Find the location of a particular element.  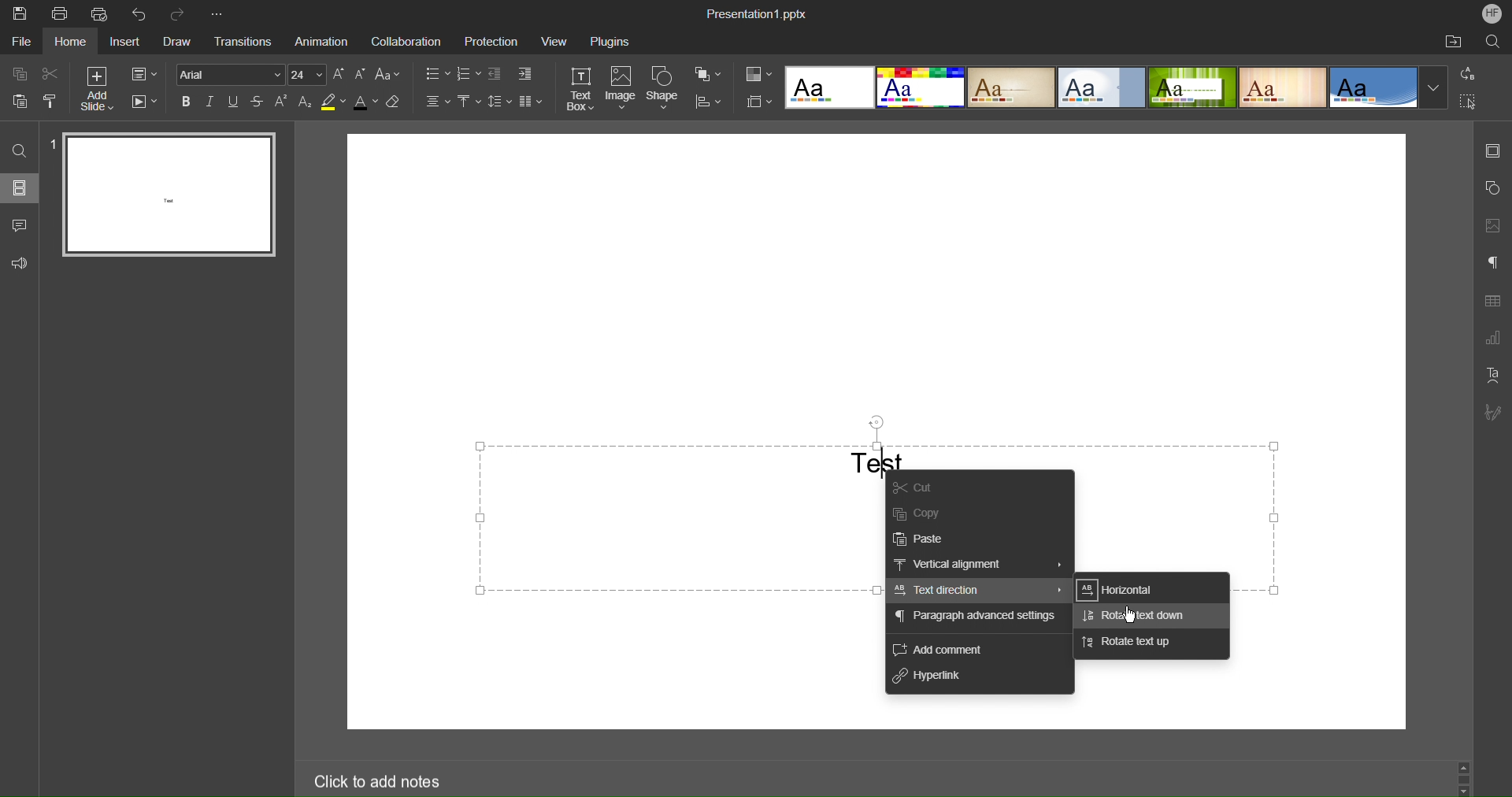

Hyperlink is located at coordinates (933, 680).